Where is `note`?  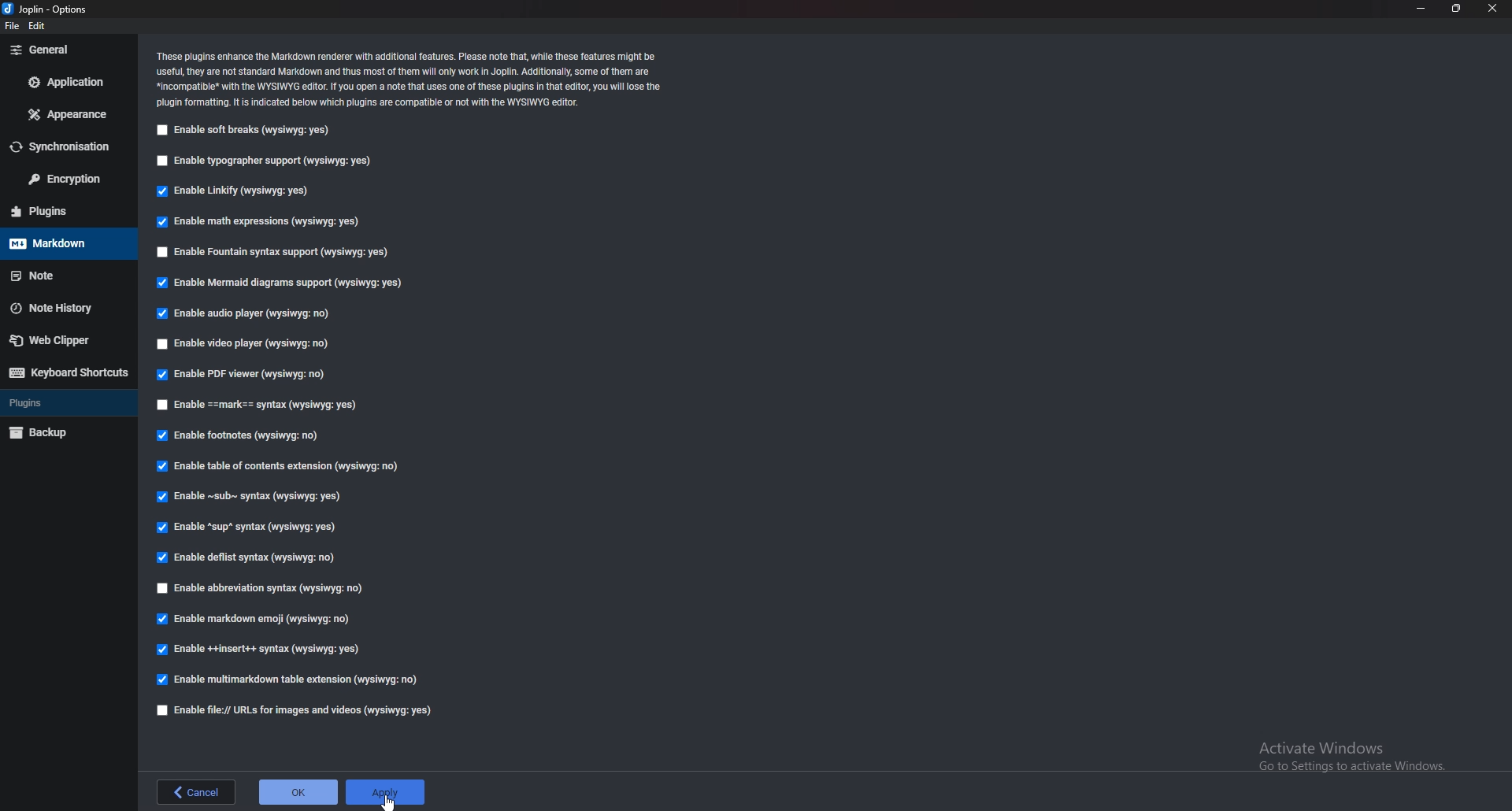 note is located at coordinates (59, 276).